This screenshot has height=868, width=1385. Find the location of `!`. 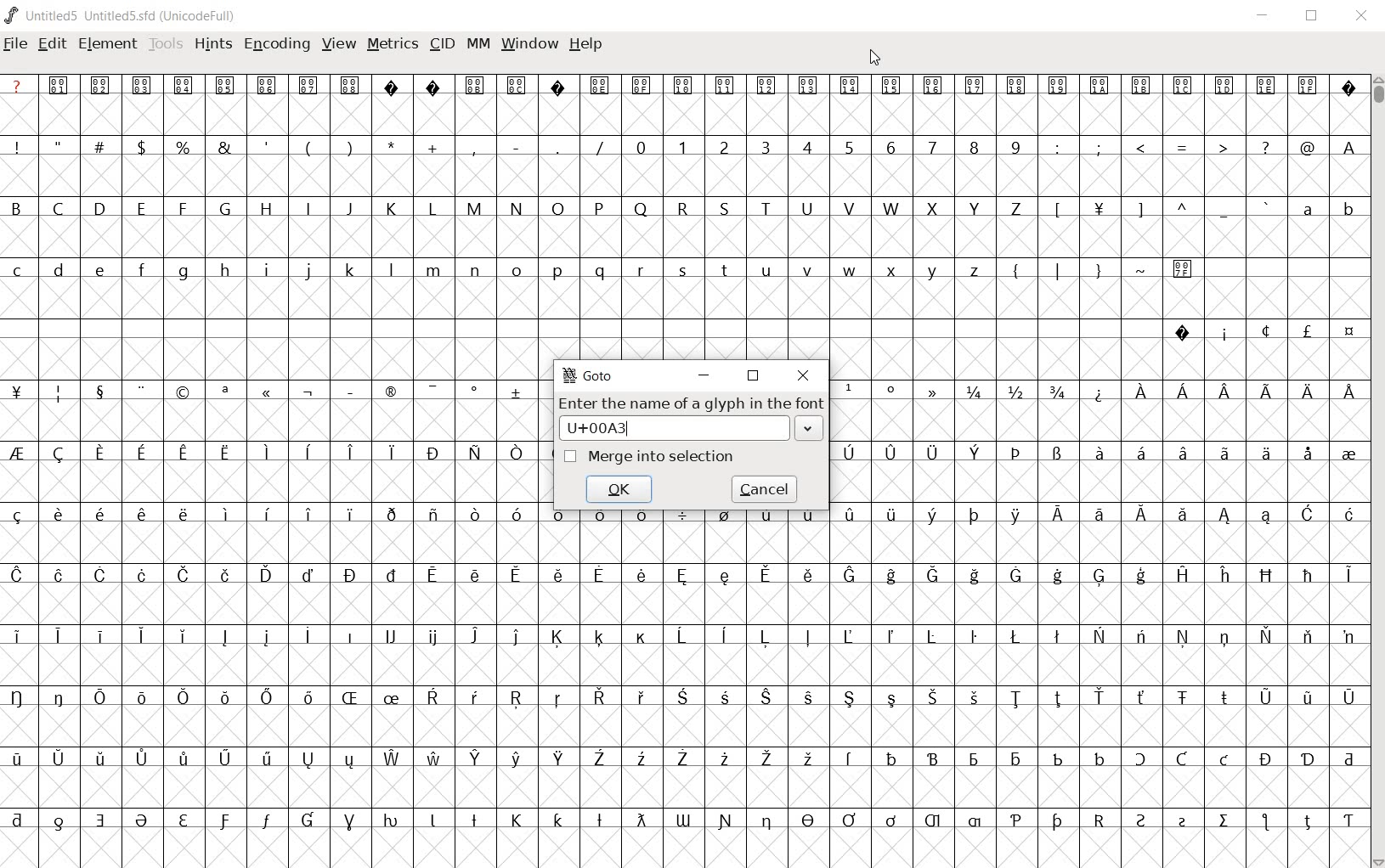

! is located at coordinates (21, 146).